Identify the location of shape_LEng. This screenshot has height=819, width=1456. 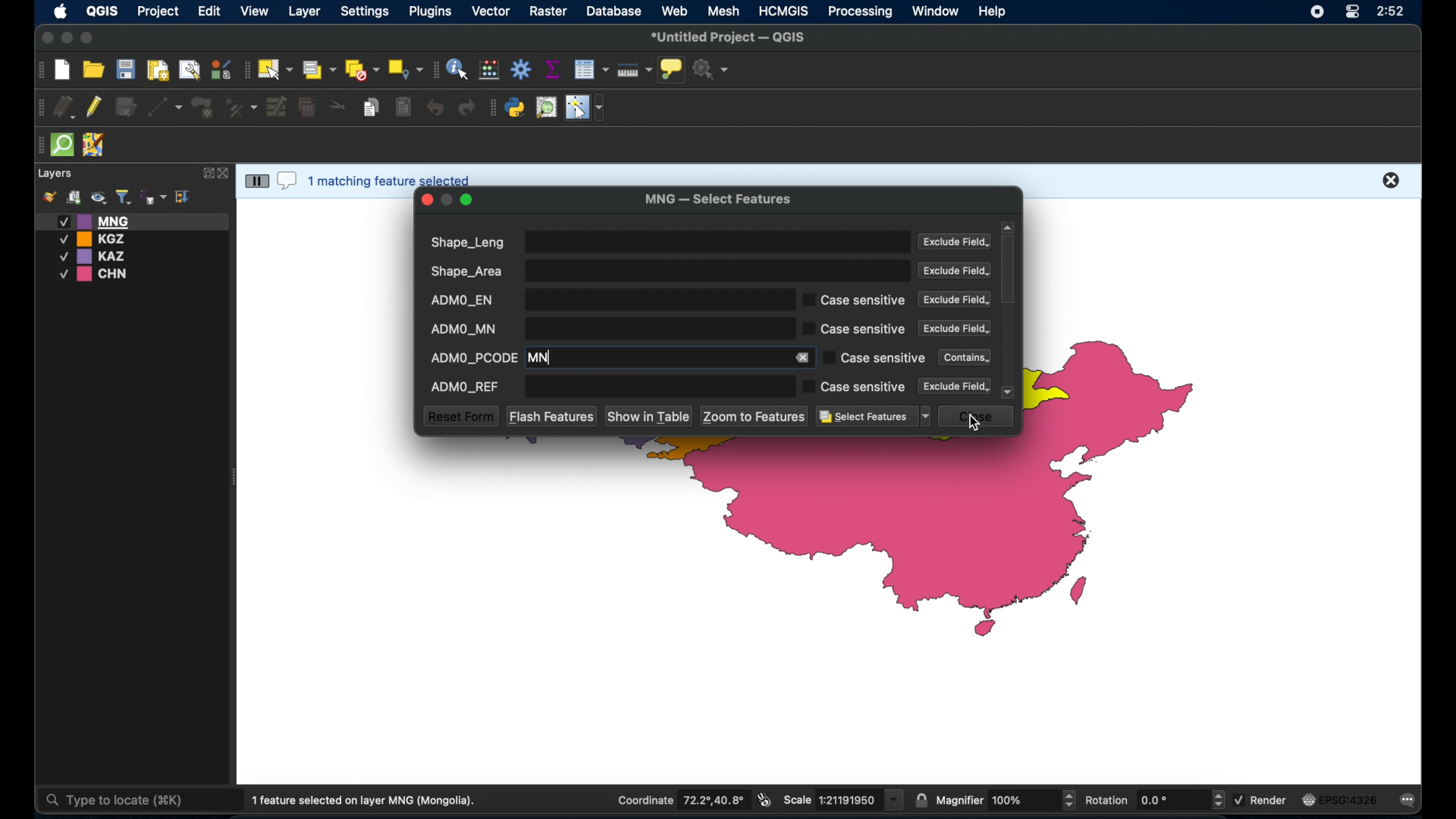
(667, 242).